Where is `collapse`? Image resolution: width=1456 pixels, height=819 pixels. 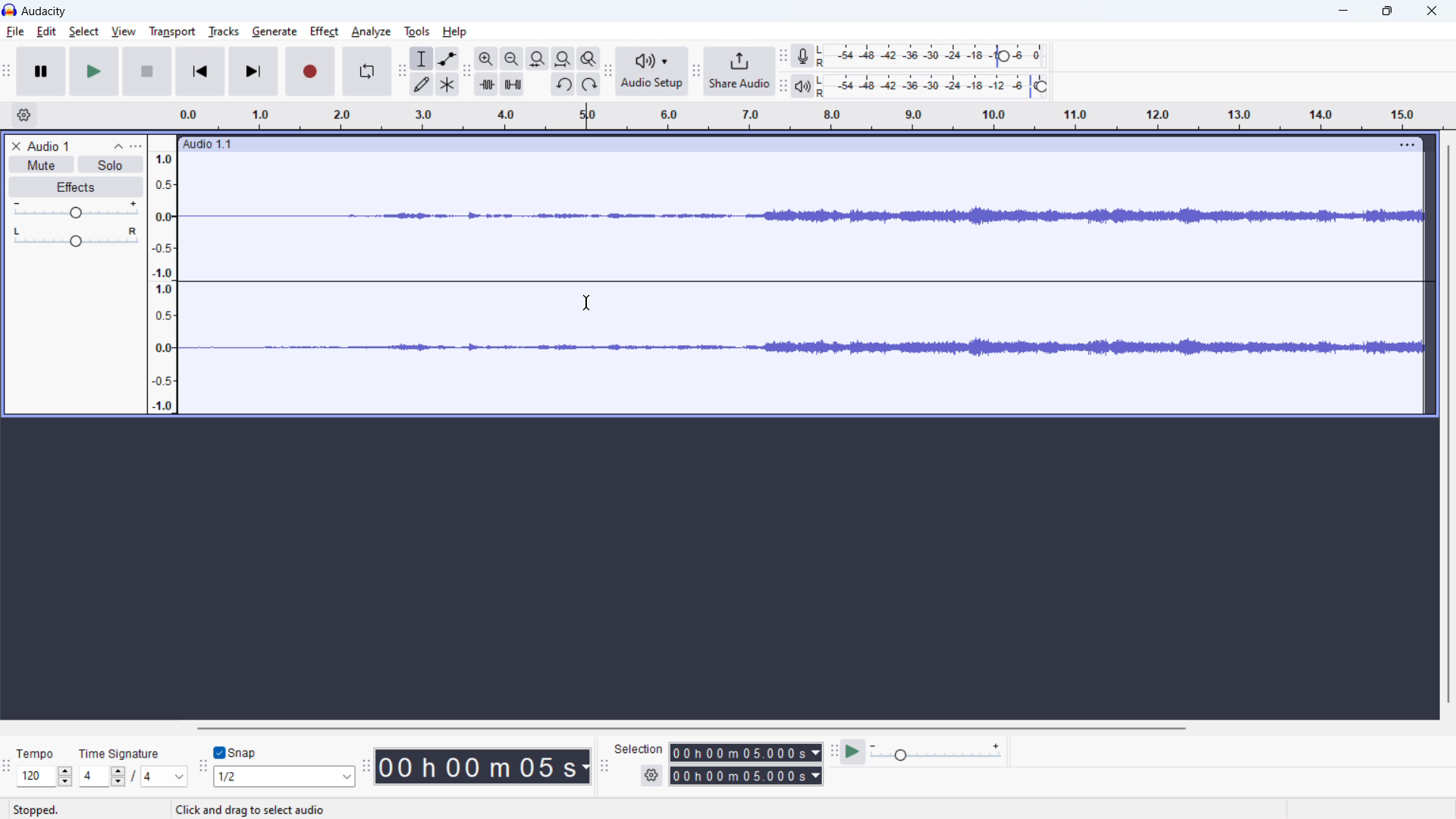 collapse is located at coordinates (118, 145).